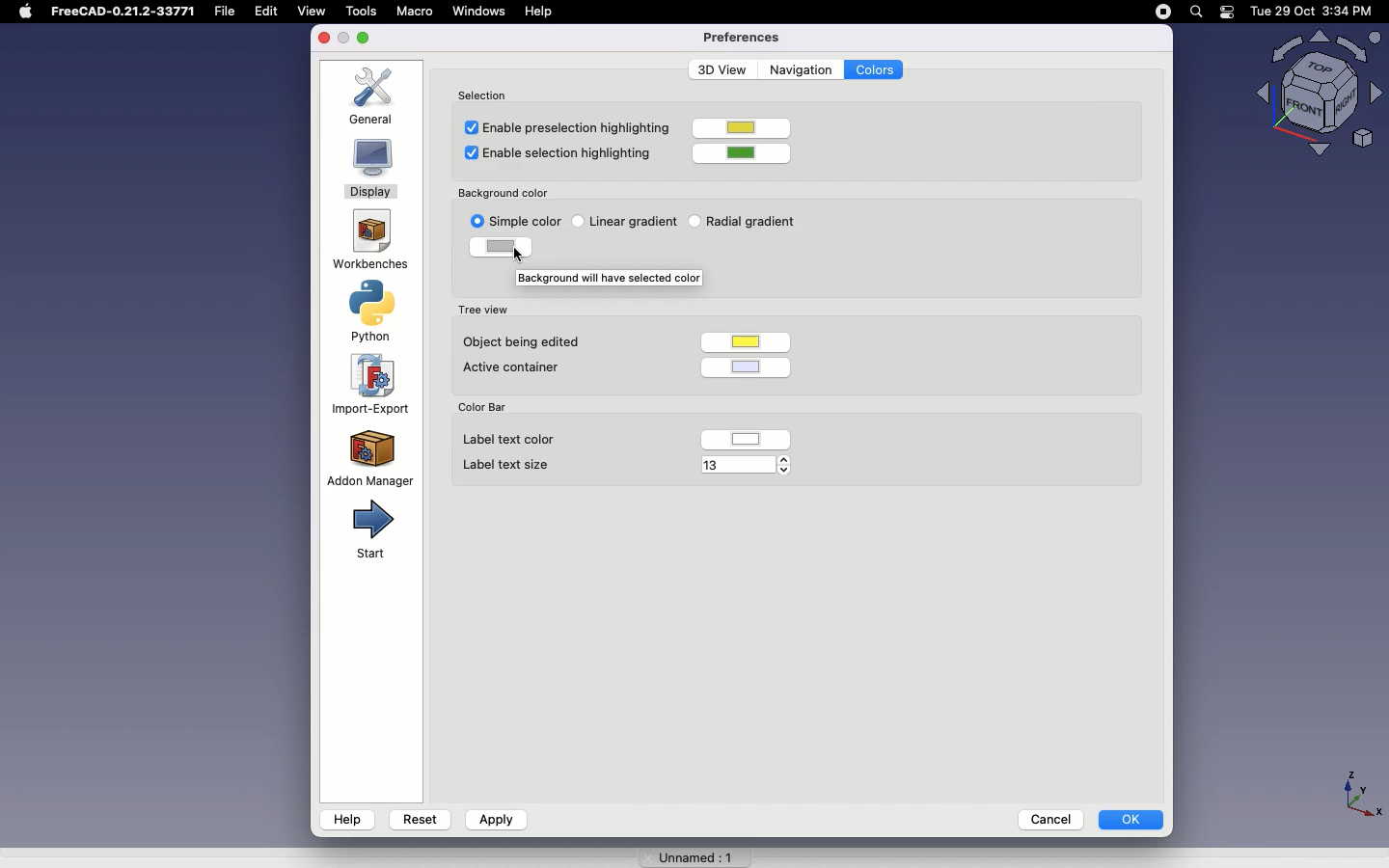 The width and height of the screenshot is (1389, 868). What do you see at coordinates (25, 12) in the screenshot?
I see `Apple Logo` at bounding box center [25, 12].